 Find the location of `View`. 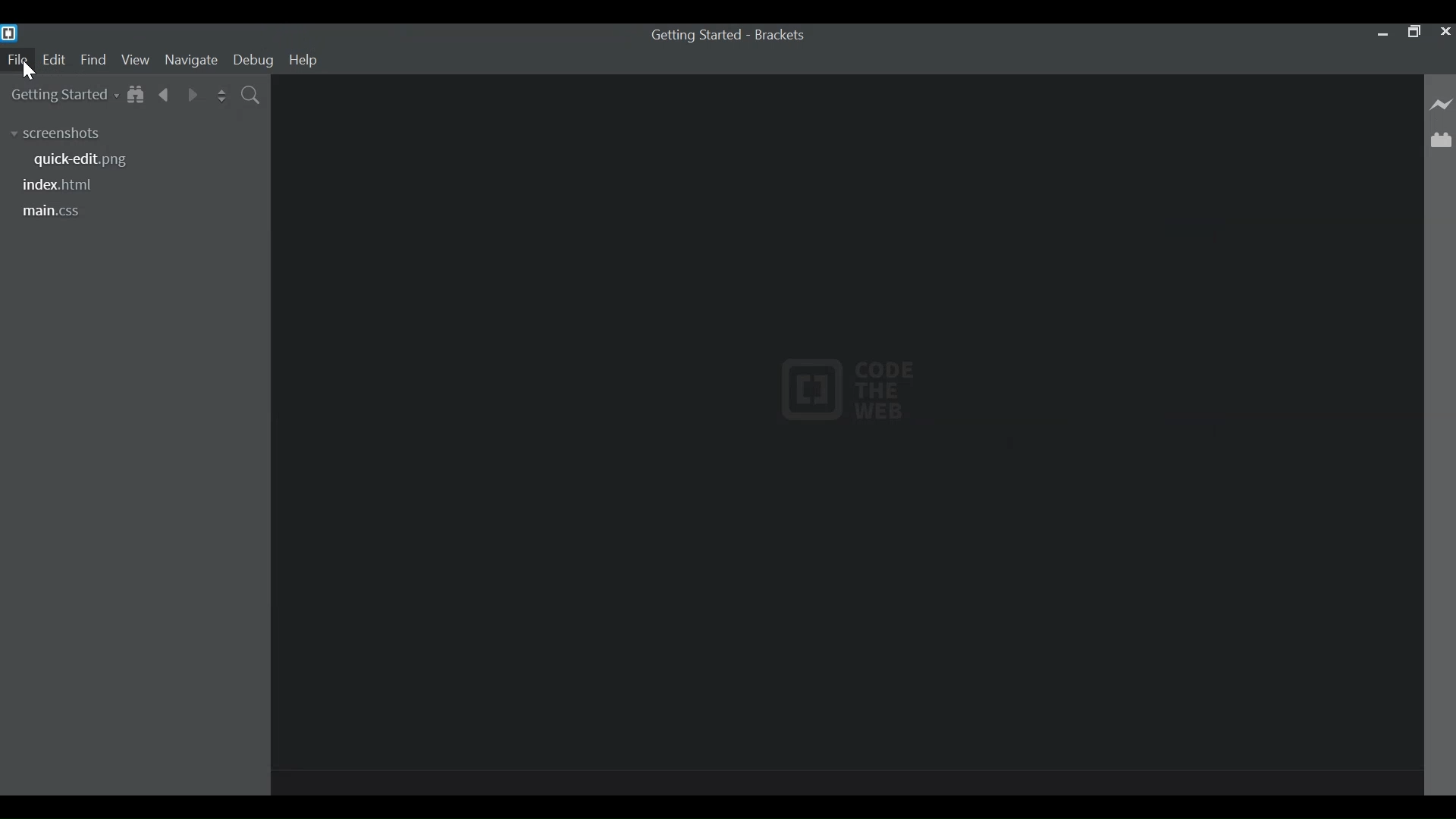

View is located at coordinates (136, 60).